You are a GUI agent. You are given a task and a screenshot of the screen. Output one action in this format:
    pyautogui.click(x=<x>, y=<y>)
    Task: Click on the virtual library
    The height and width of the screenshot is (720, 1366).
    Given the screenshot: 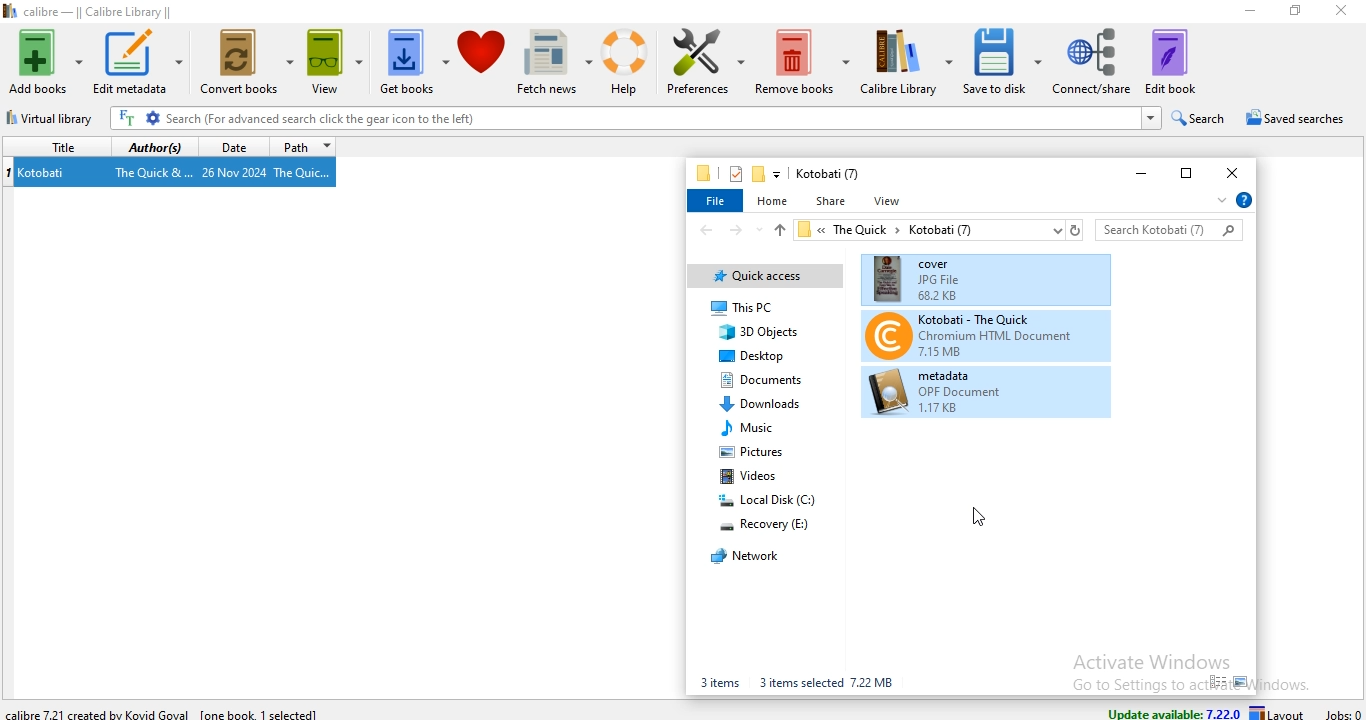 What is the action you would take?
    pyautogui.click(x=54, y=121)
    